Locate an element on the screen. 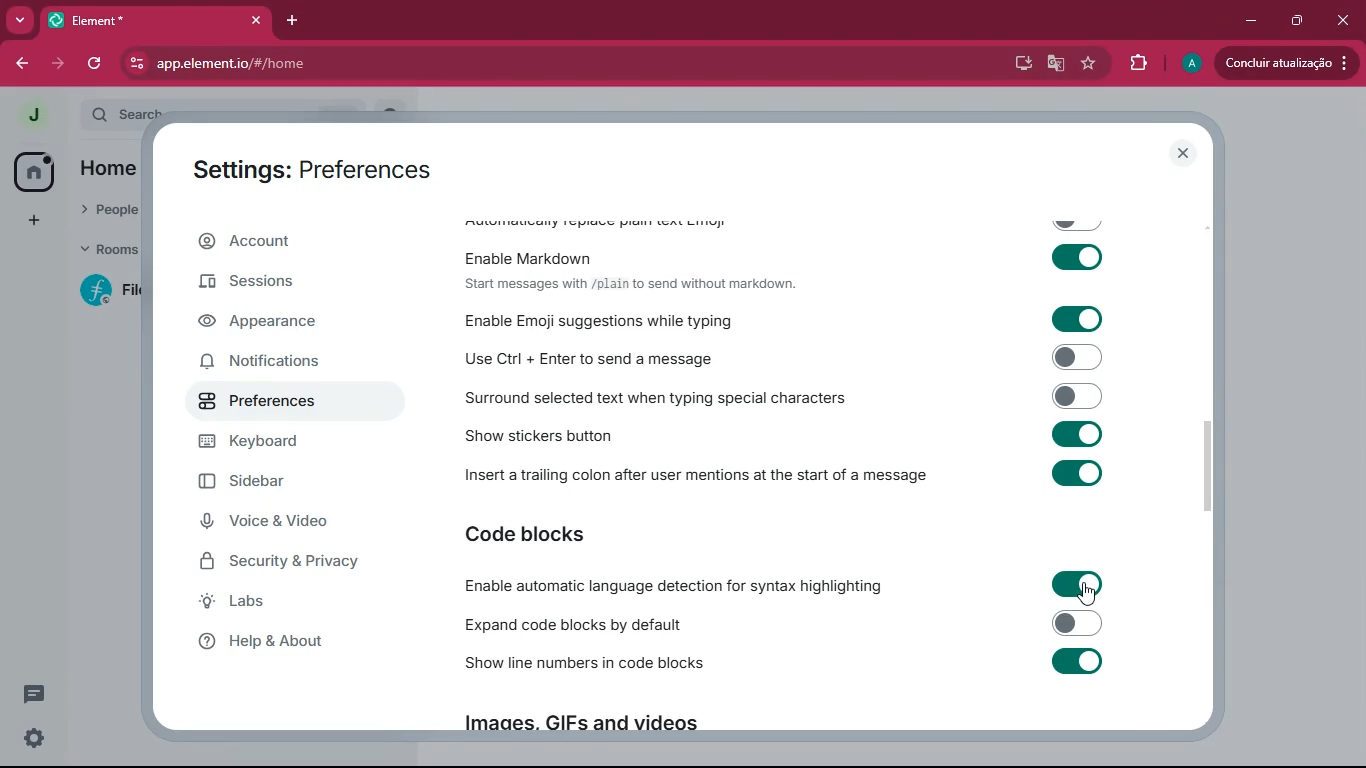  keyboard is located at coordinates (287, 443).